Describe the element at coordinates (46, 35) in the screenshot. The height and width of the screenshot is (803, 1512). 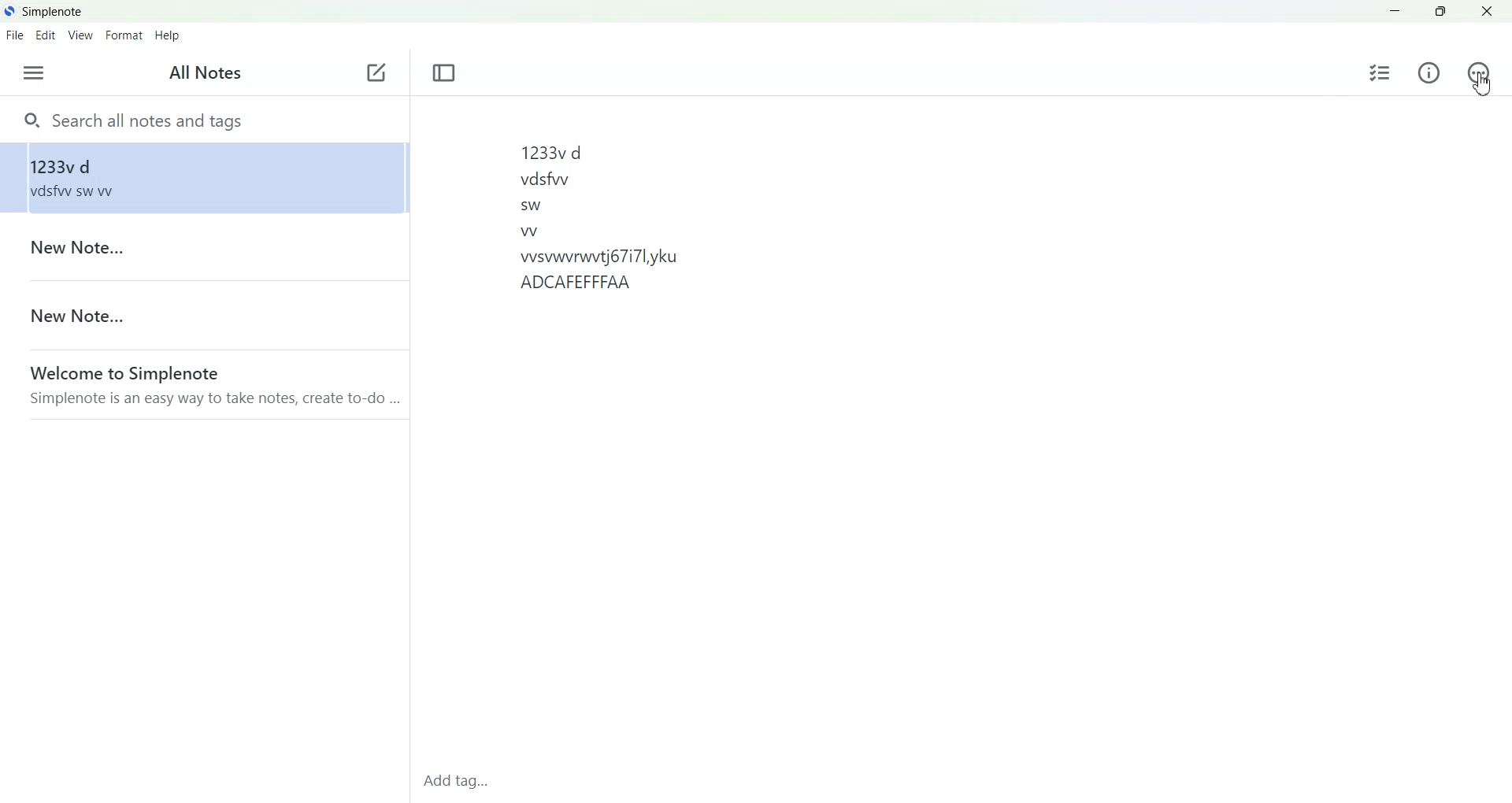
I see `Edit` at that location.